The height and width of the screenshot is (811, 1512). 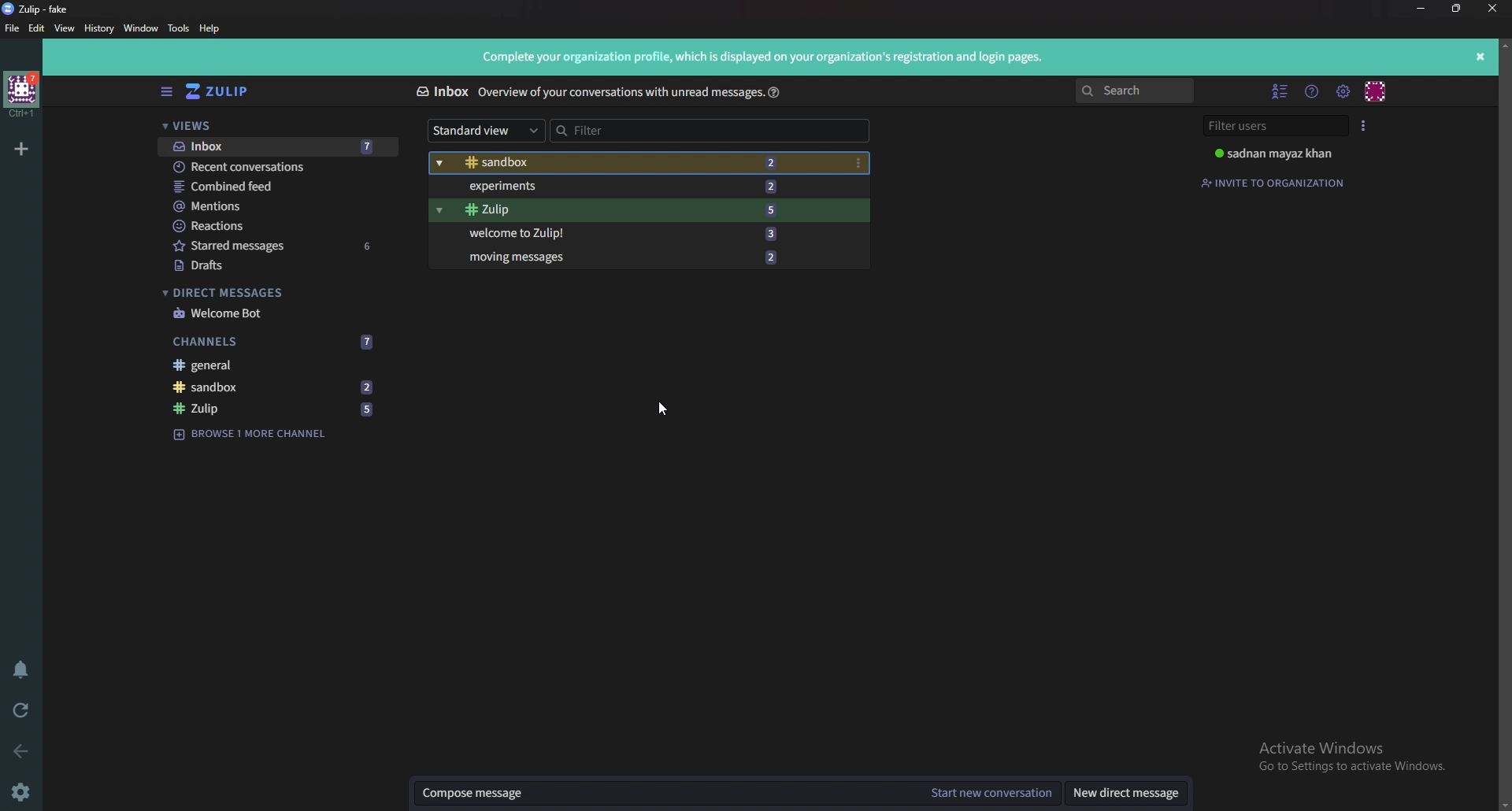 I want to click on Browse channel, so click(x=258, y=435).